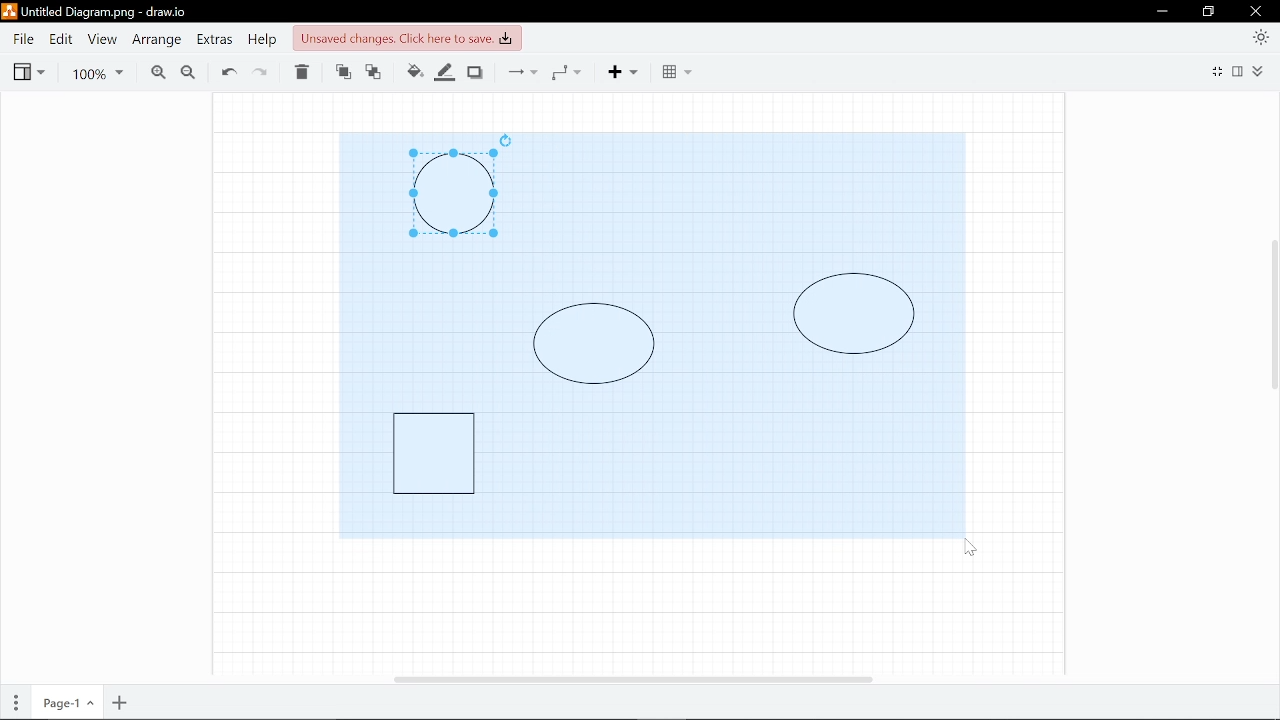  What do you see at coordinates (634, 679) in the screenshot?
I see `Horizontal scrollbar` at bounding box center [634, 679].